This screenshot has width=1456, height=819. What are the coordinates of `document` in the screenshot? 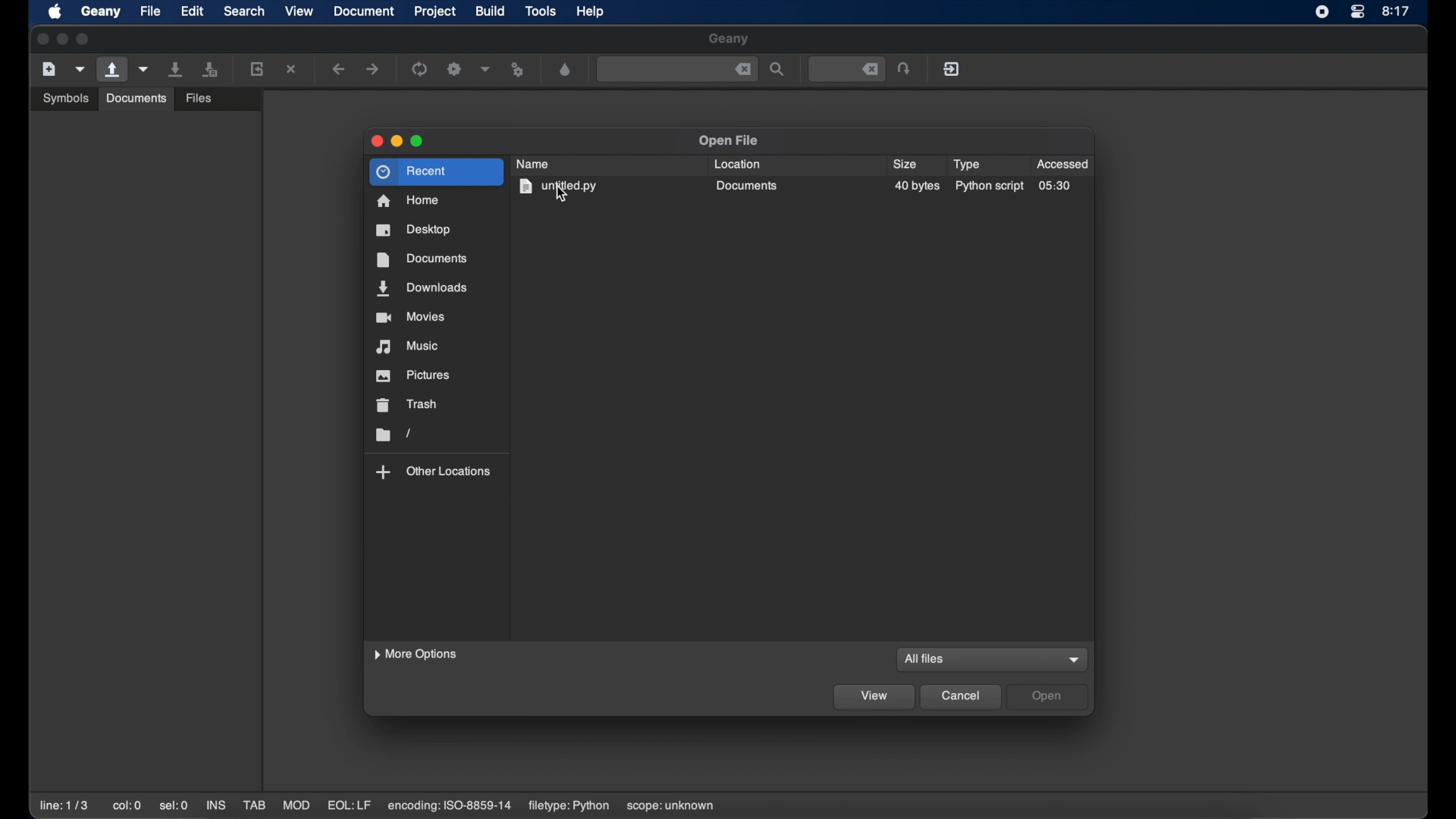 It's located at (363, 11).